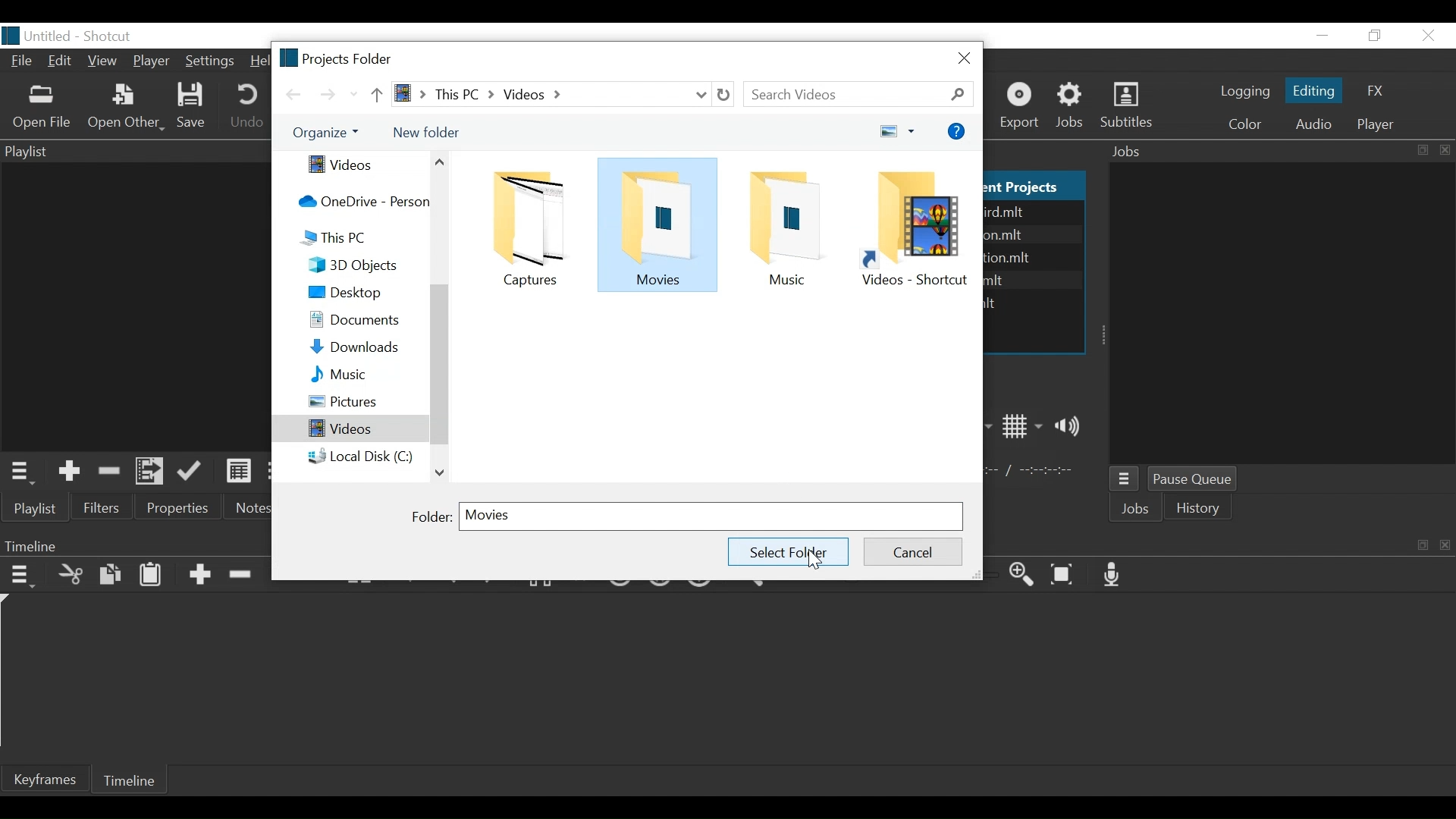 This screenshot has height=819, width=1456. I want to click on Pause Queue, so click(1198, 481).